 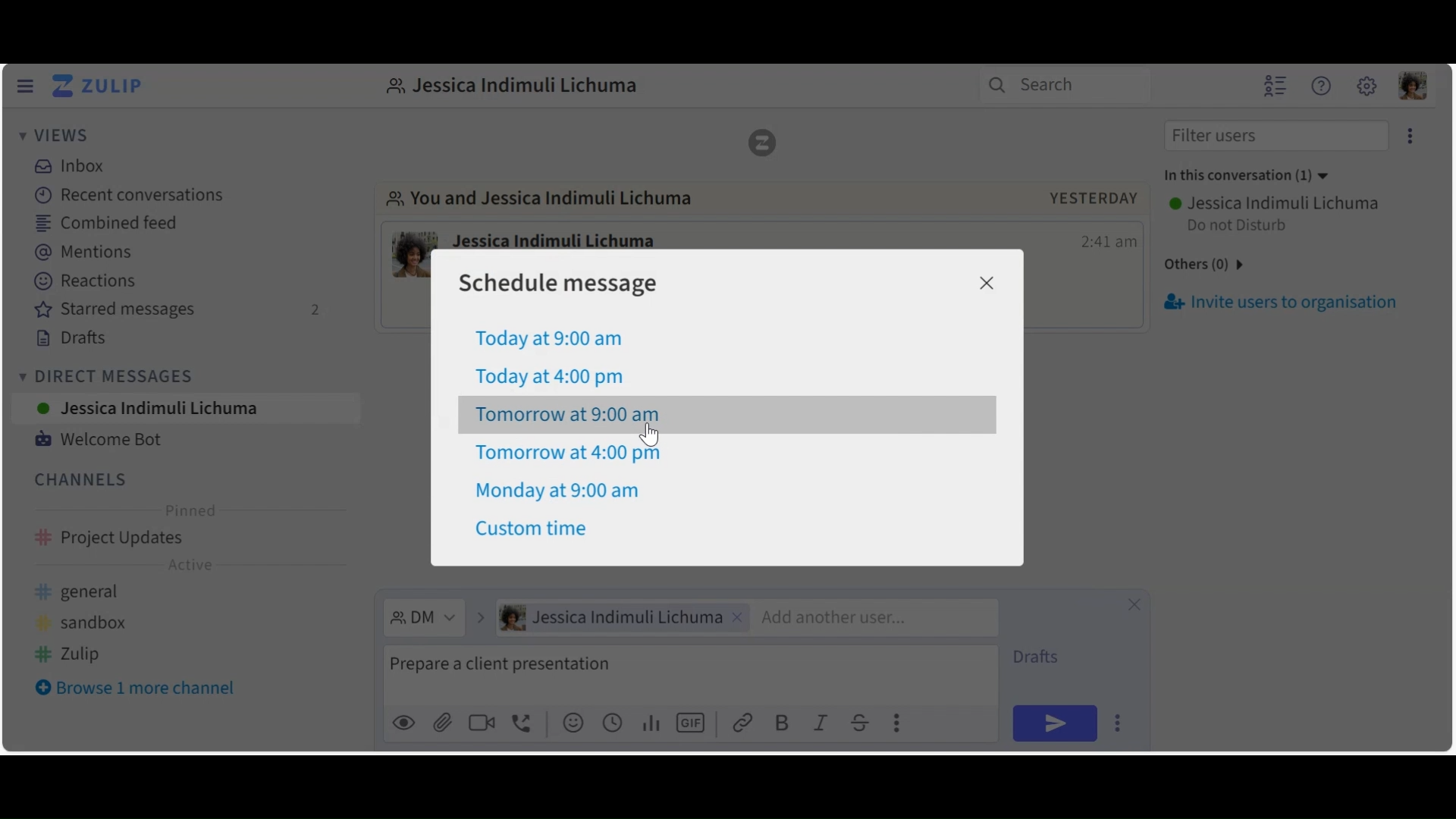 What do you see at coordinates (94, 86) in the screenshot?
I see `Go to Home View` at bounding box center [94, 86].